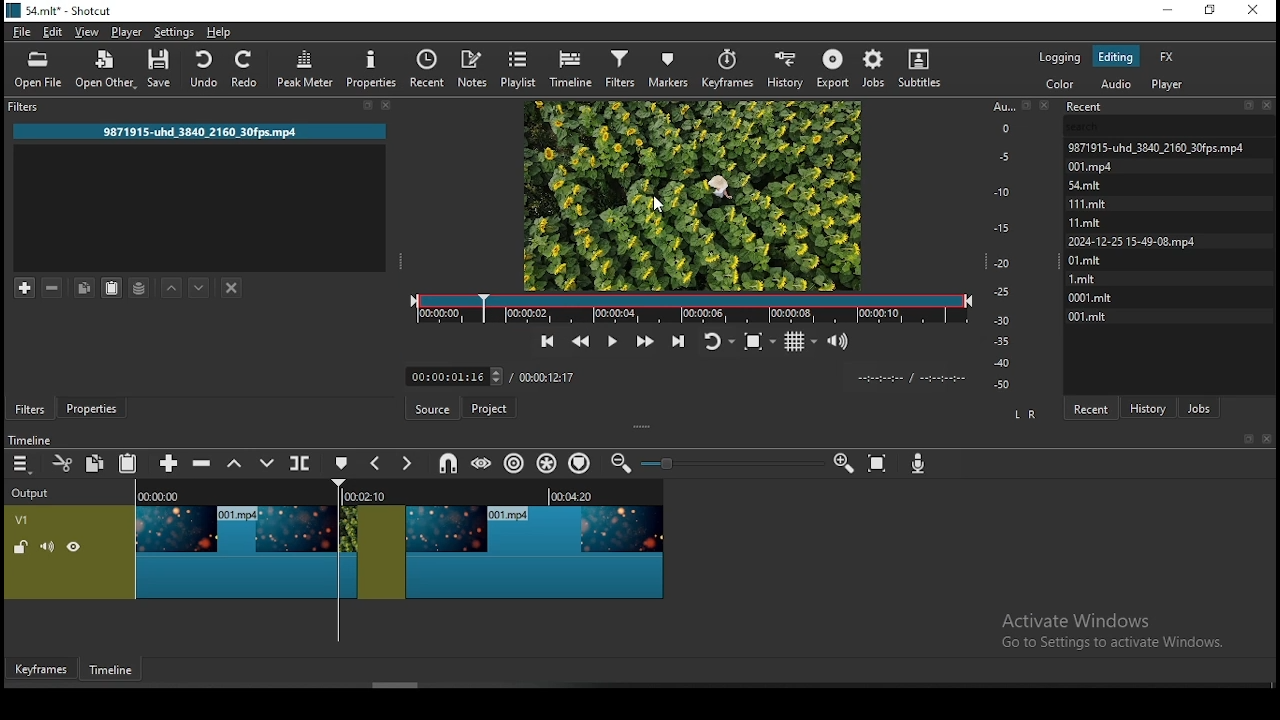 This screenshot has height=720, width=1280. What do you see at coordinates (799, 340) in the screenshot?
I see `toggle grid display on the player` at bounding box center [799, 340].